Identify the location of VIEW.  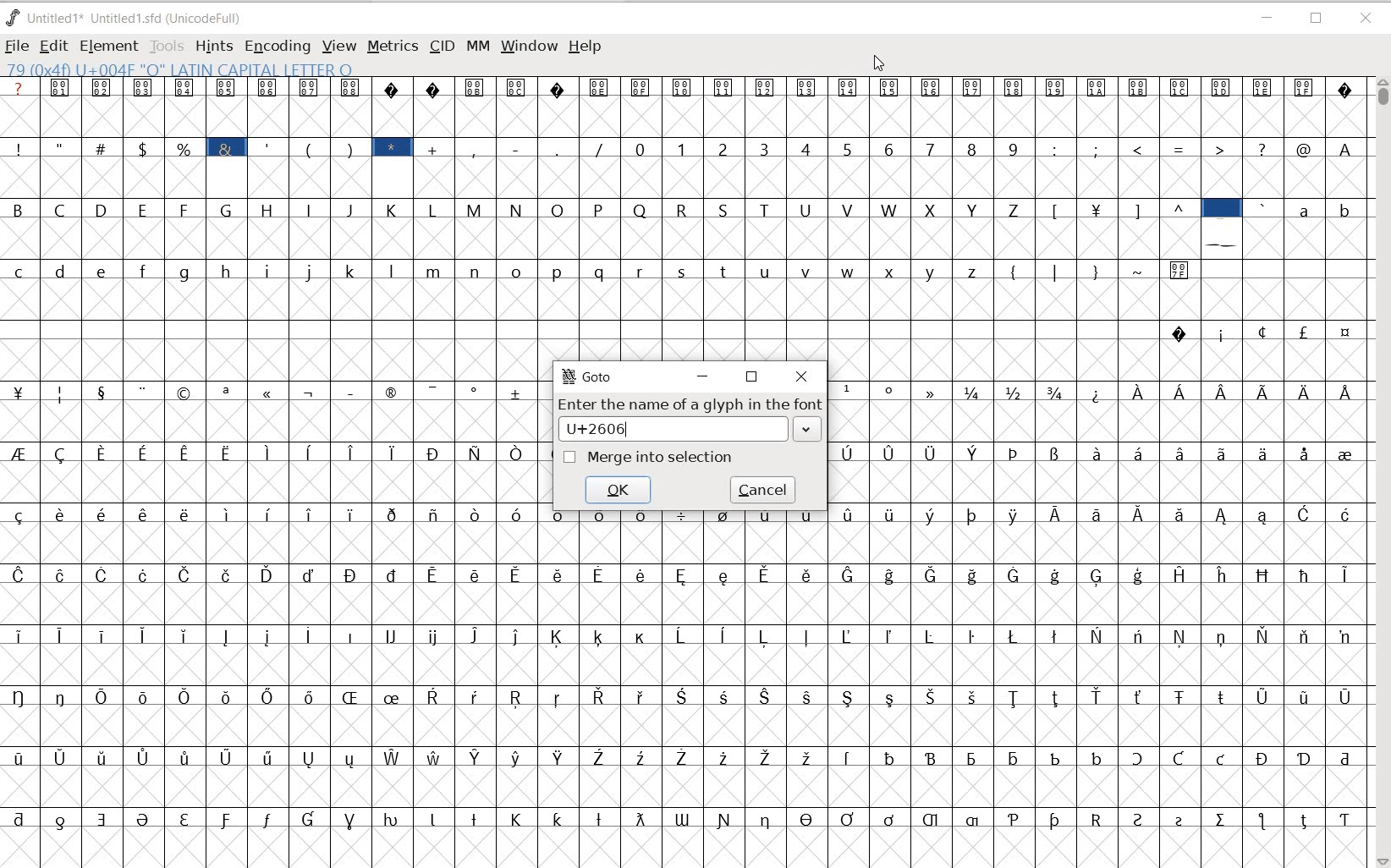
(338, 47).